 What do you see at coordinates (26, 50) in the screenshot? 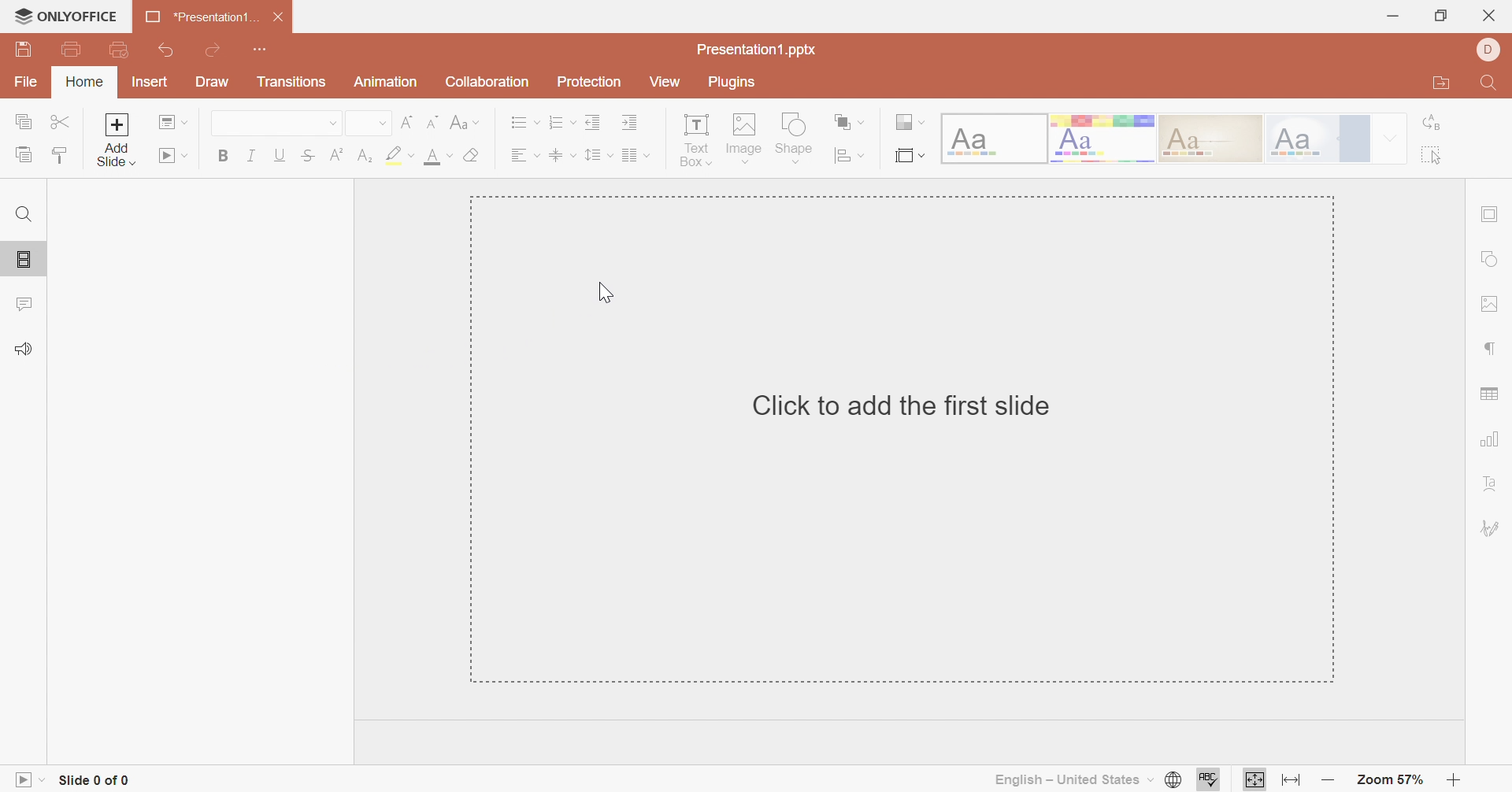
I see `Save` at bounding box center [26, 50].